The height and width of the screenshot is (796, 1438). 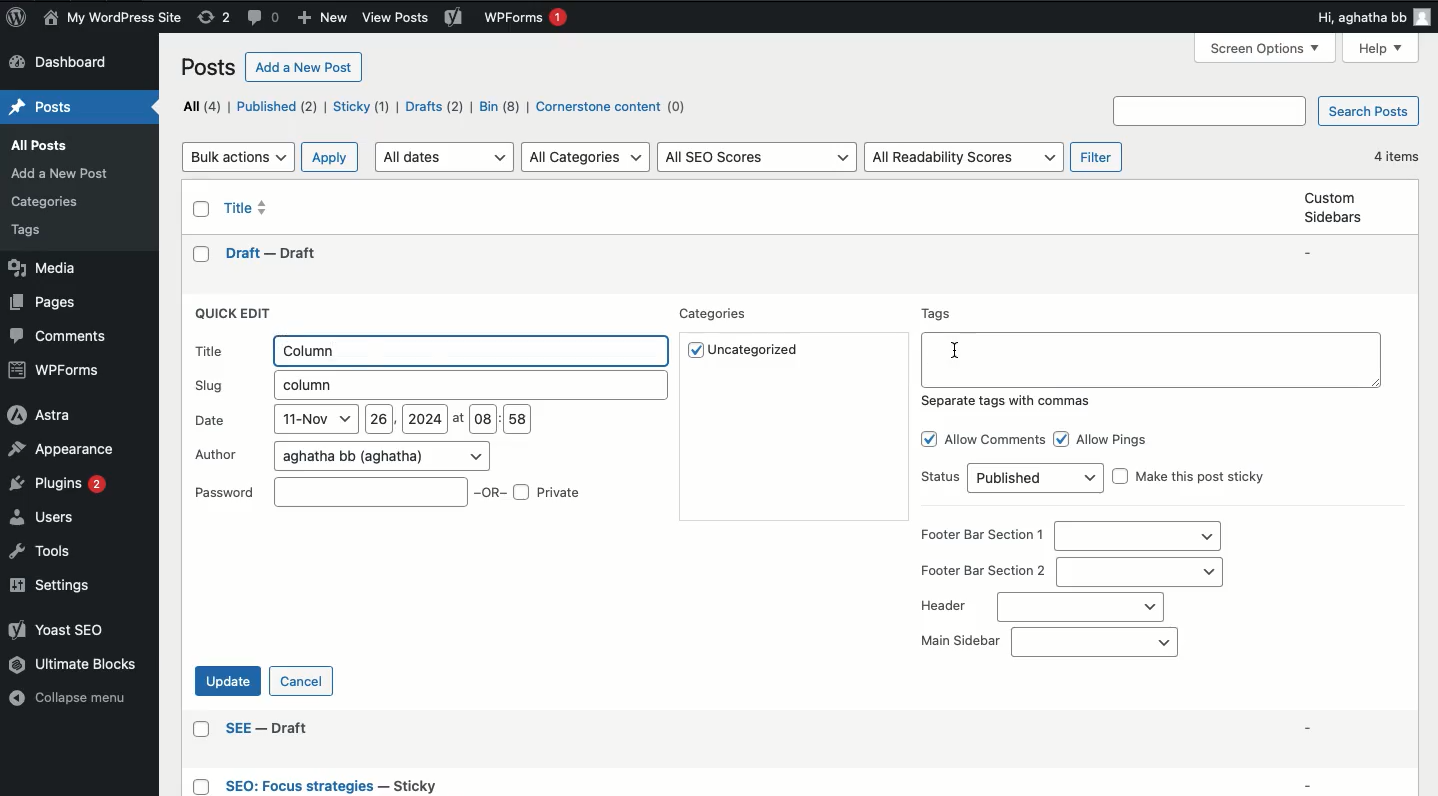 I want to click on at, so click(x=458, y=418).